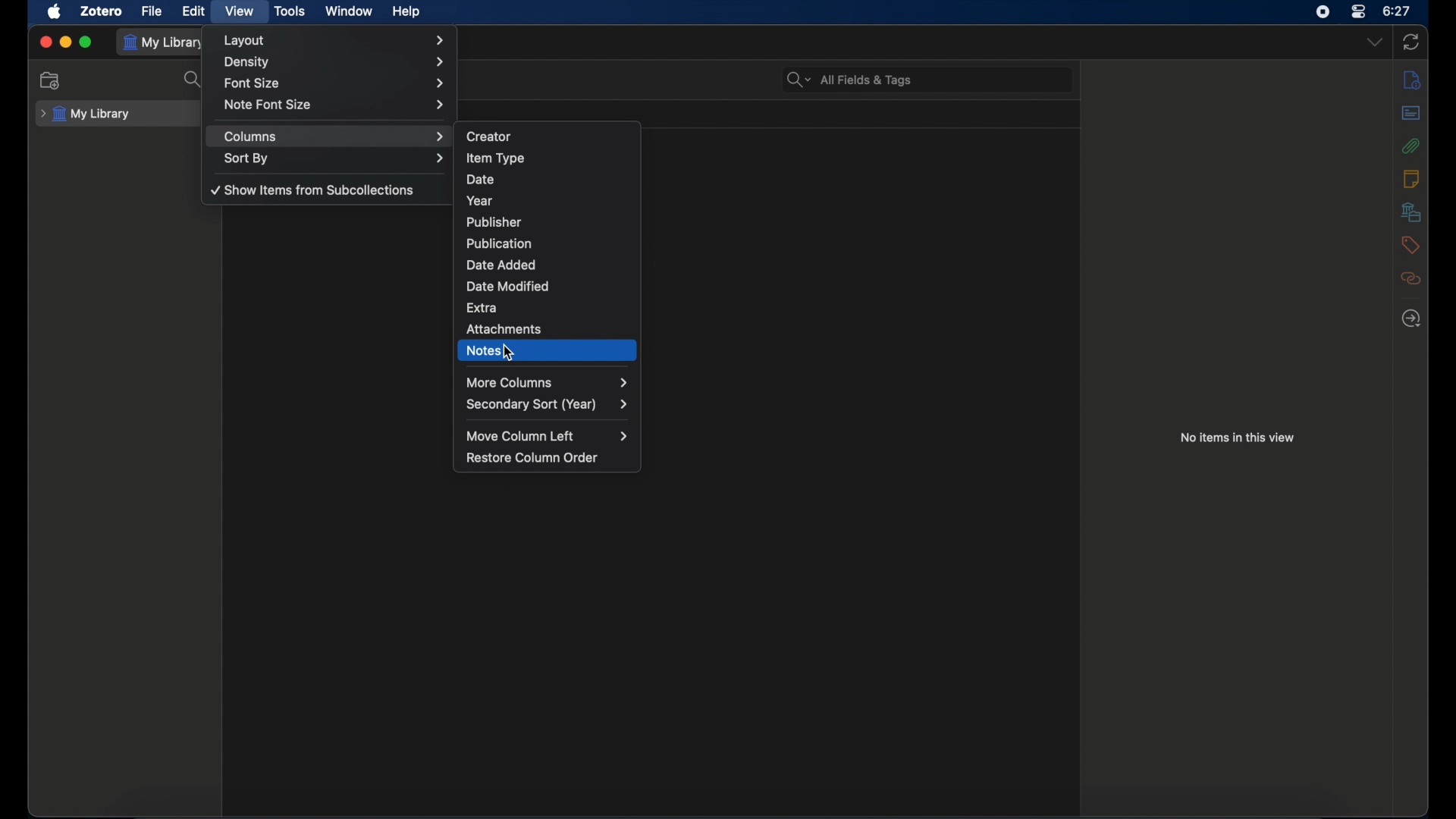 The height and width of the screenshot is (819, 1456). What do you see at coordinates (350, 11) in the screenshot?
I see `window` at bounding box center [350, 11].